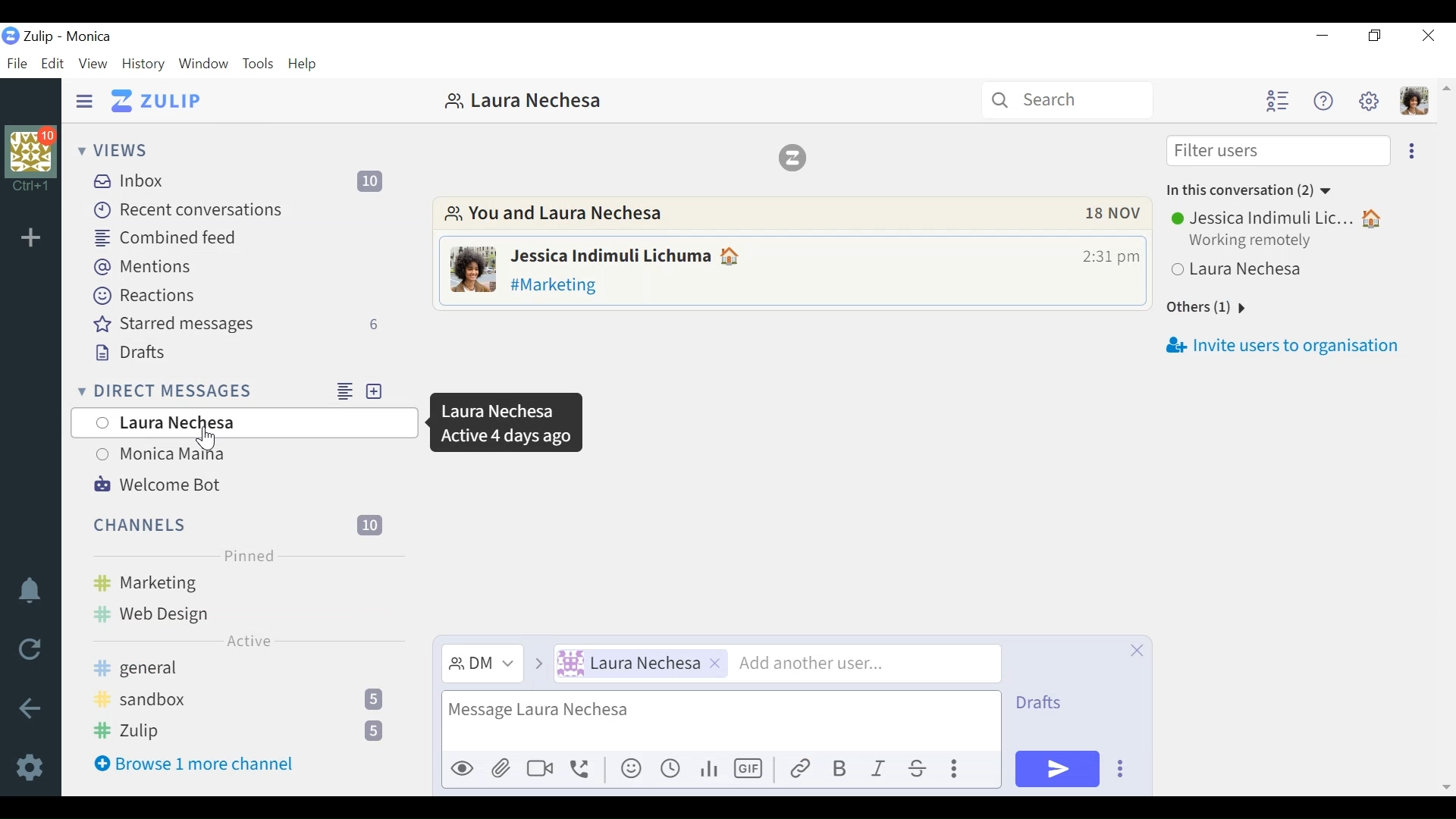 The height and width of the screenshot is (819, 1456). What do you see at coordinates (584, 769) in the screenshot?
I see `Add voice call` at bounding box center [584, 769].